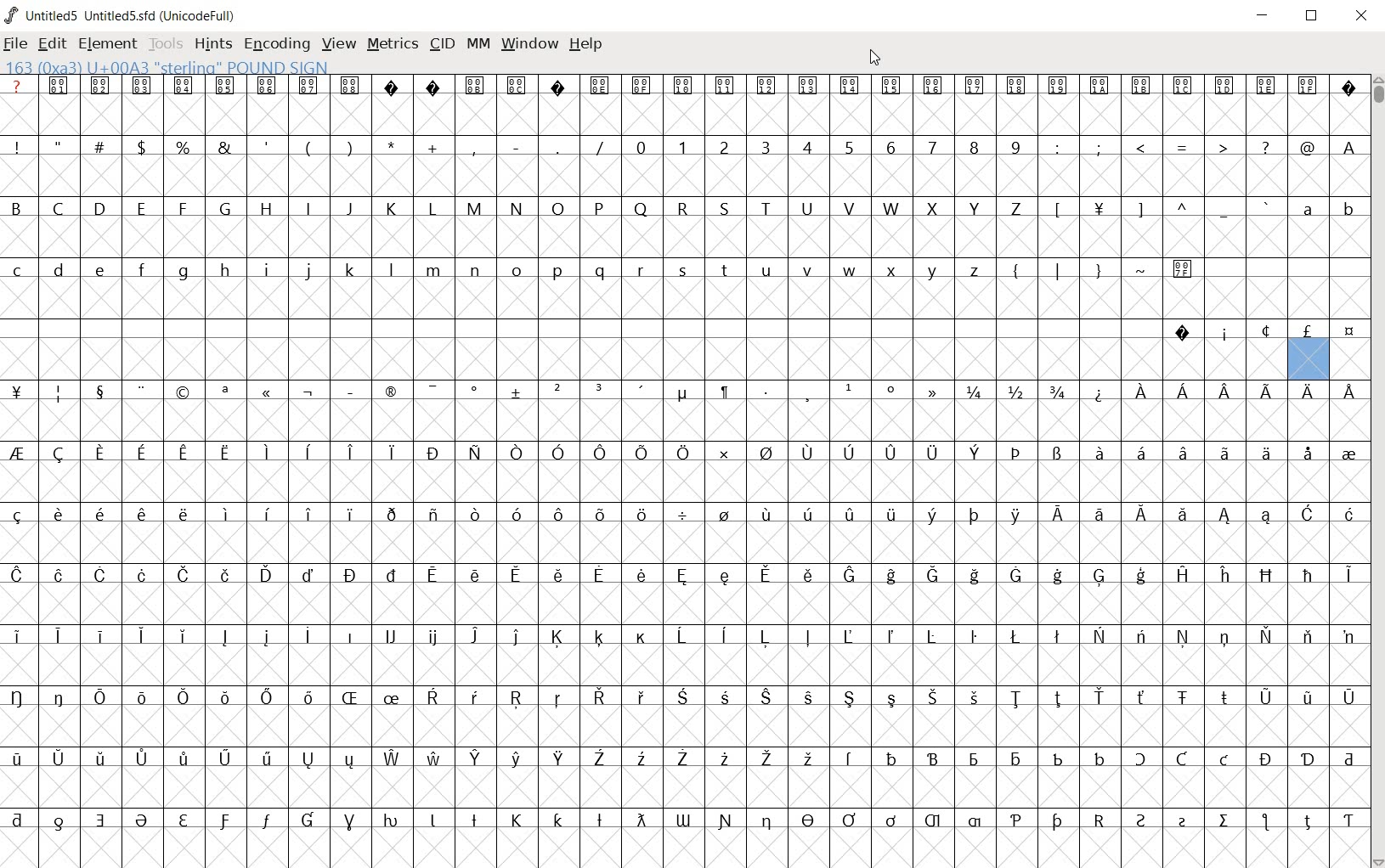 The width and height of the screenshot is (1385, 868). I want to click on Symbol, so click(144, 822).